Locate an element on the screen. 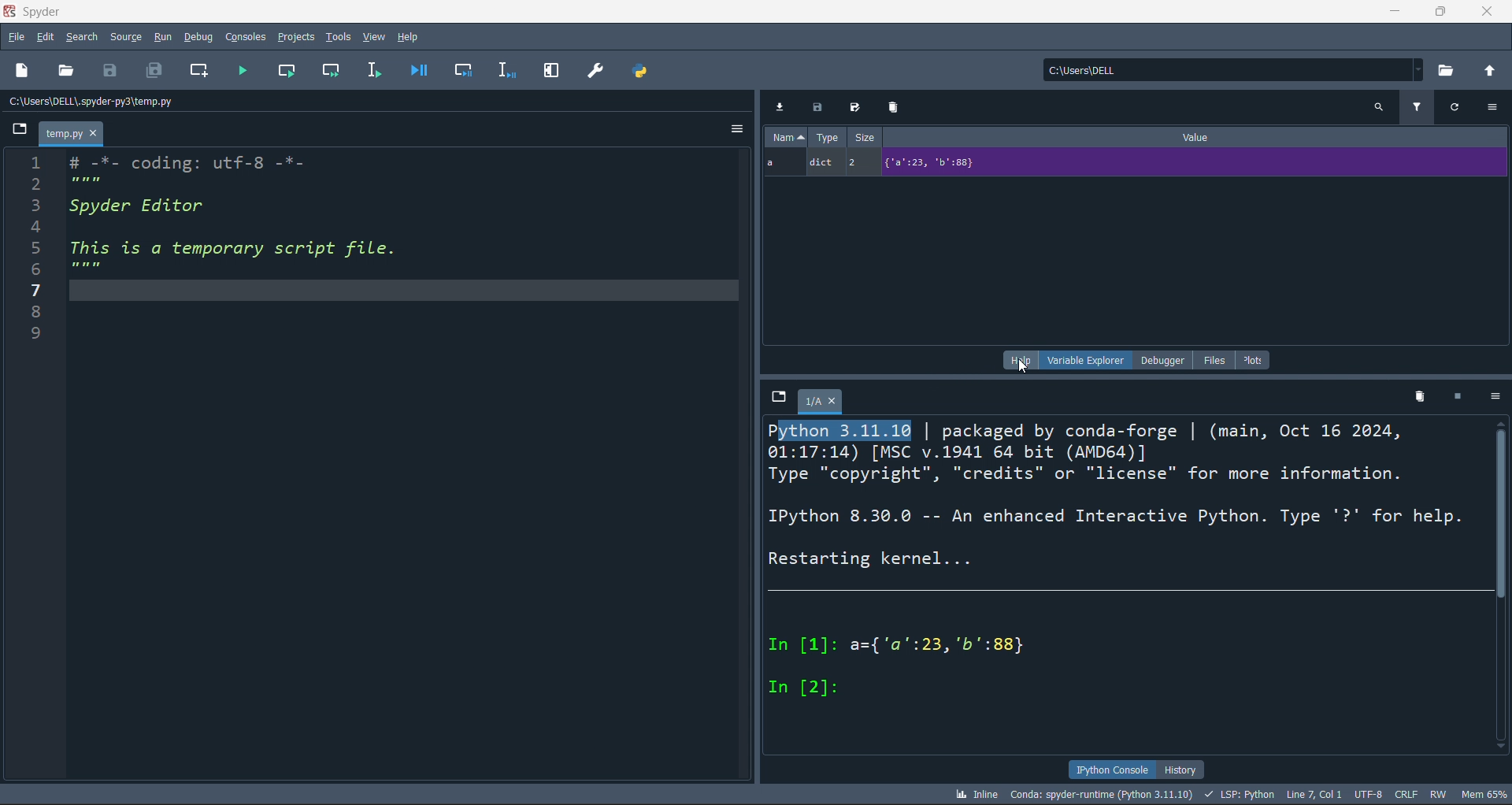  debugger is located at coordinates (1157, 360).